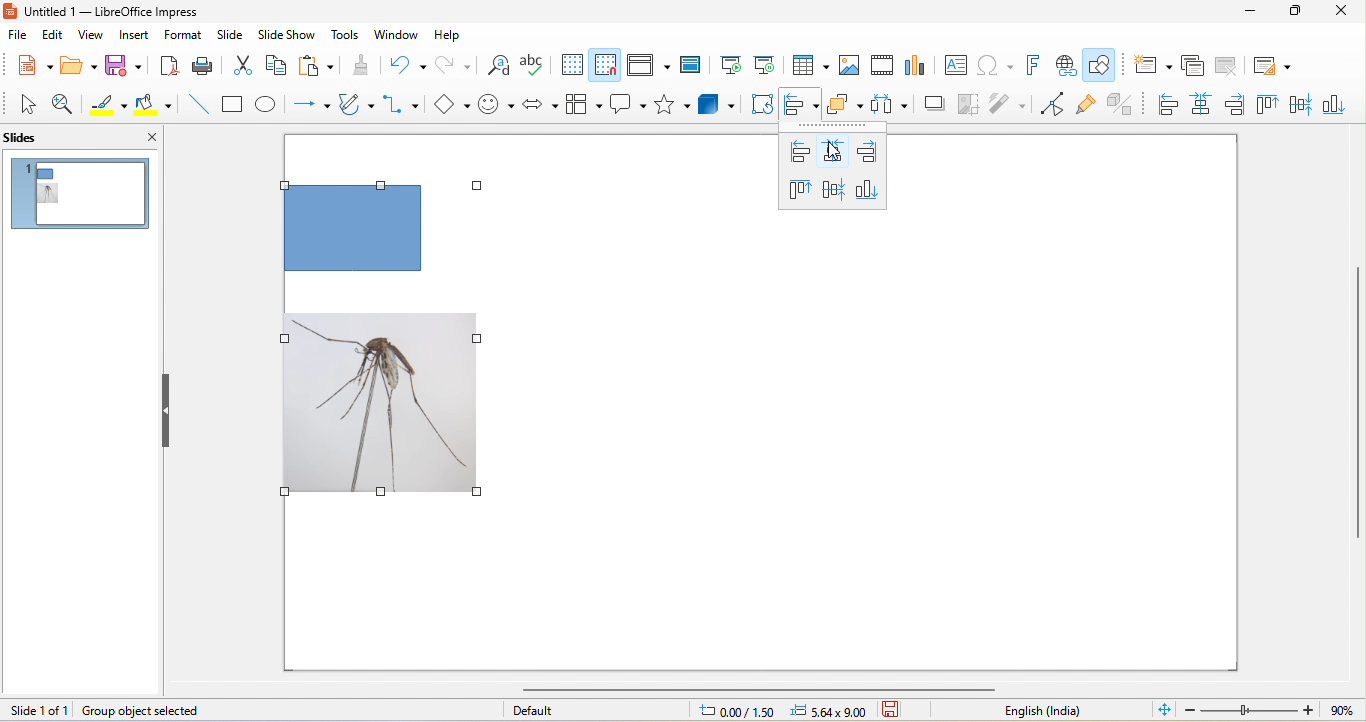  Describe the element at coordinates (610, 65) in the screenshot. I see `snap to grid` at that location.